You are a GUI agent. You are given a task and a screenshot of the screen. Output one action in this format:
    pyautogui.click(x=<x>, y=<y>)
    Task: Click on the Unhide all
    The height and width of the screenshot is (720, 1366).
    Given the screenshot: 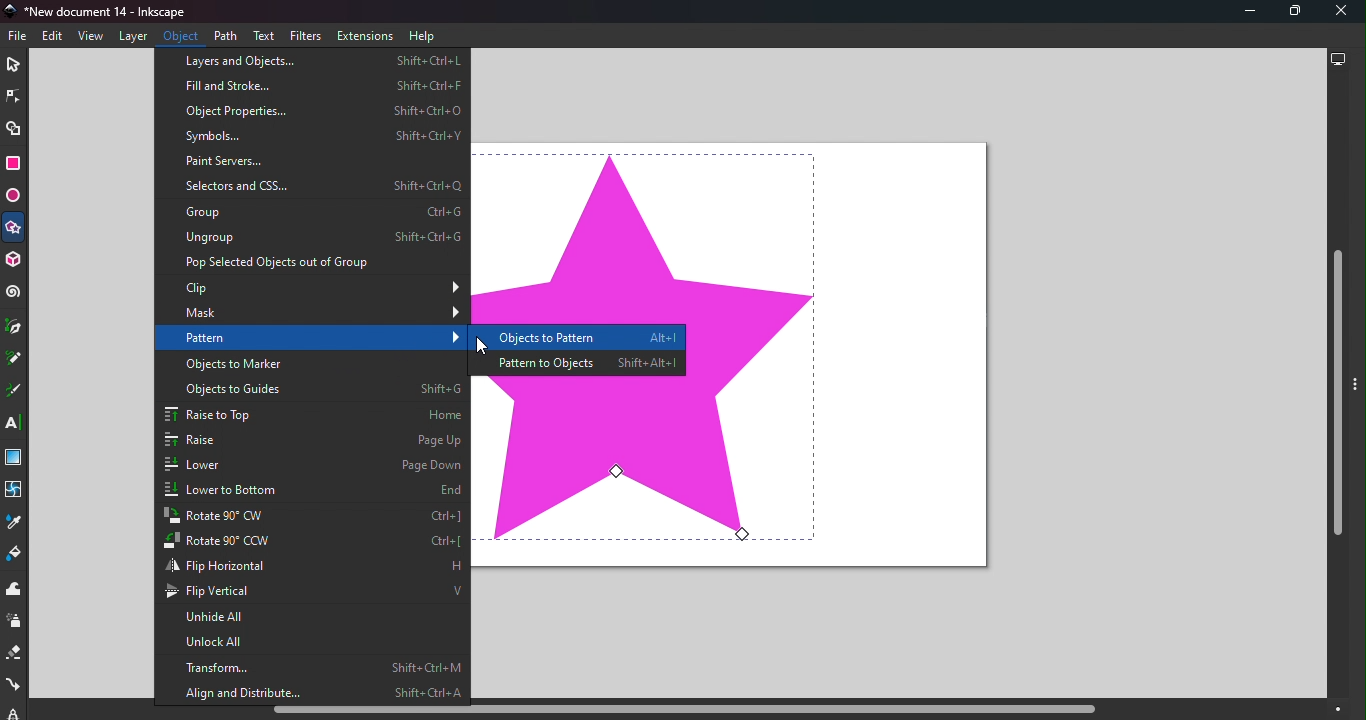 What is the action you would take?
    pyautogui.click(x=315, y=618)
    